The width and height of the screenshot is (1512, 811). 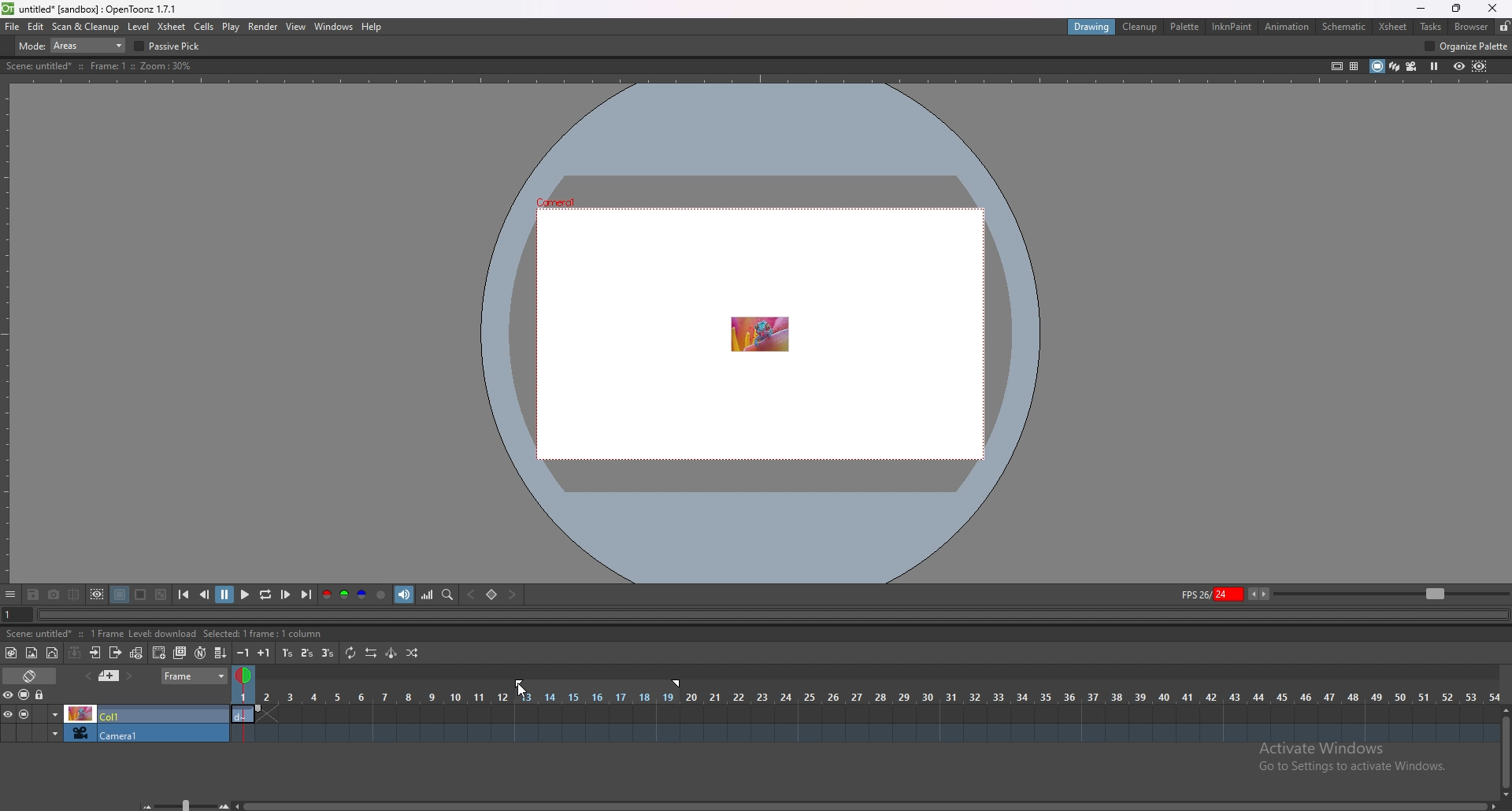 What do you see at coordinates (328, 653) in the screenshot?
I see `reframe on 3s` at bounding box center [328, 653].